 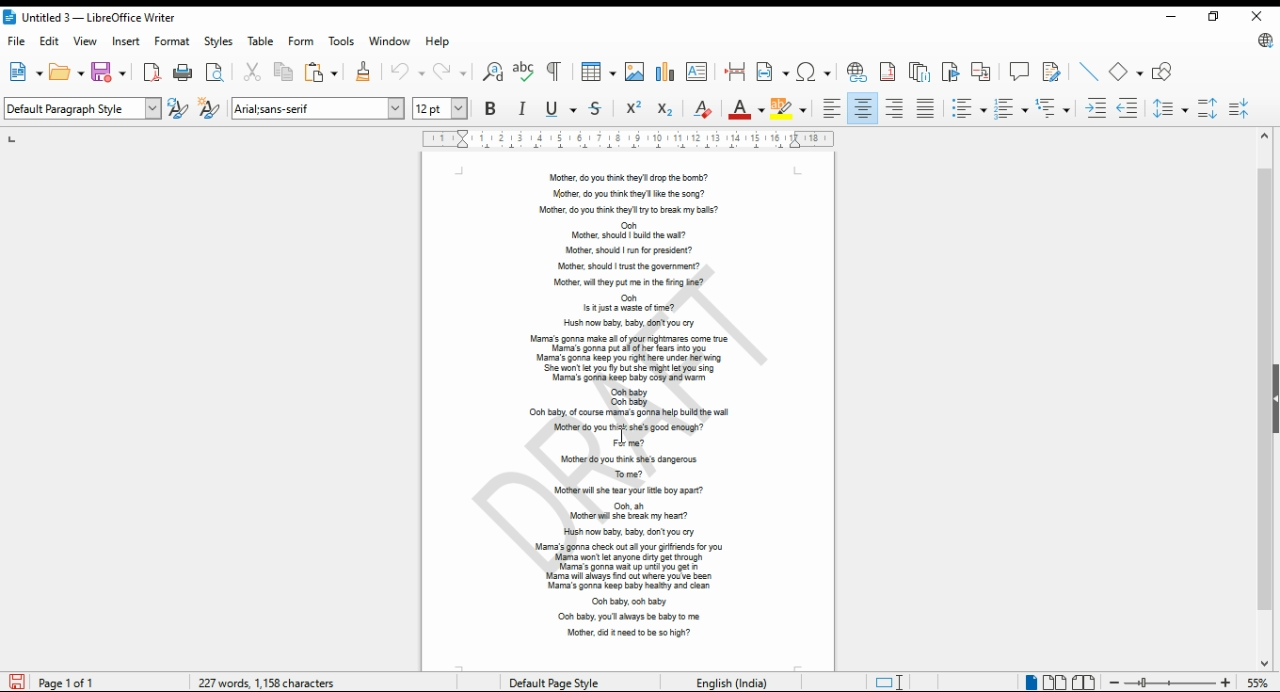 What do you see at coordinates (665, 110) in the screenshot?
I see `subscript` at bounding box center [665, 110].